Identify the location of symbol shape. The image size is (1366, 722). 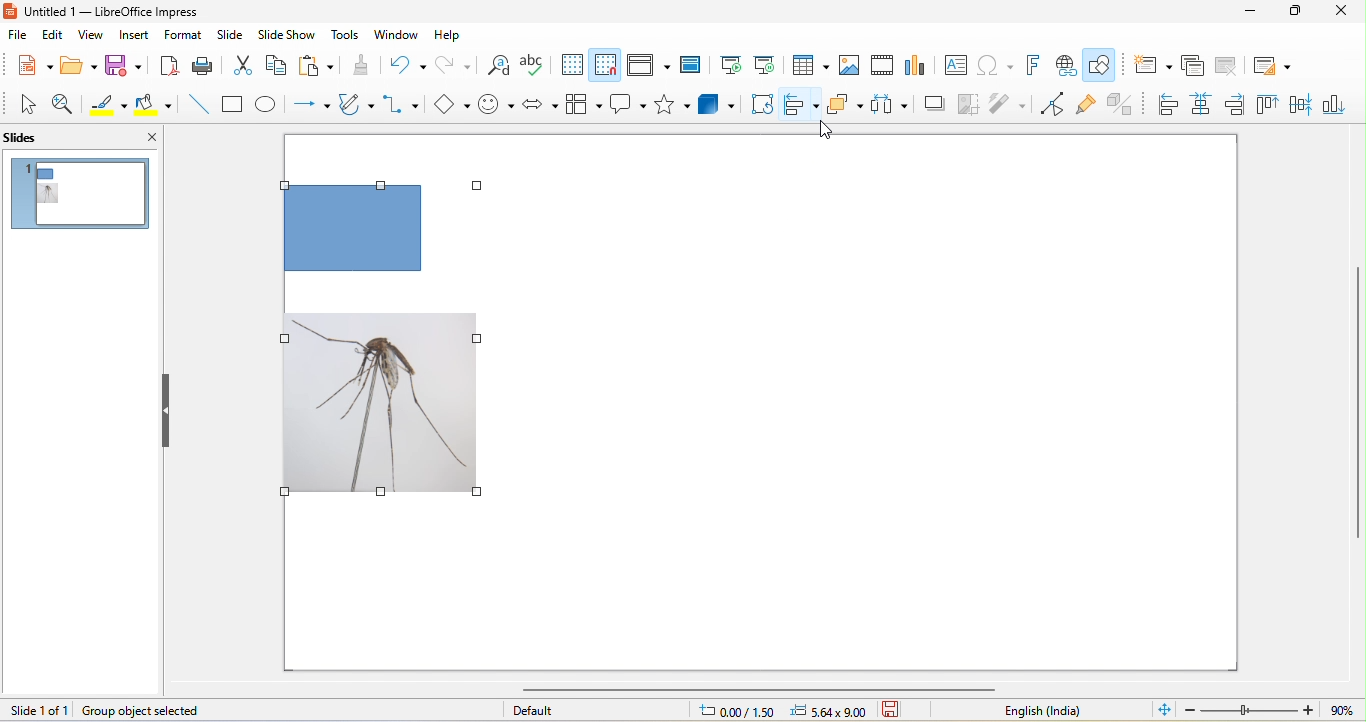
(496, 106).